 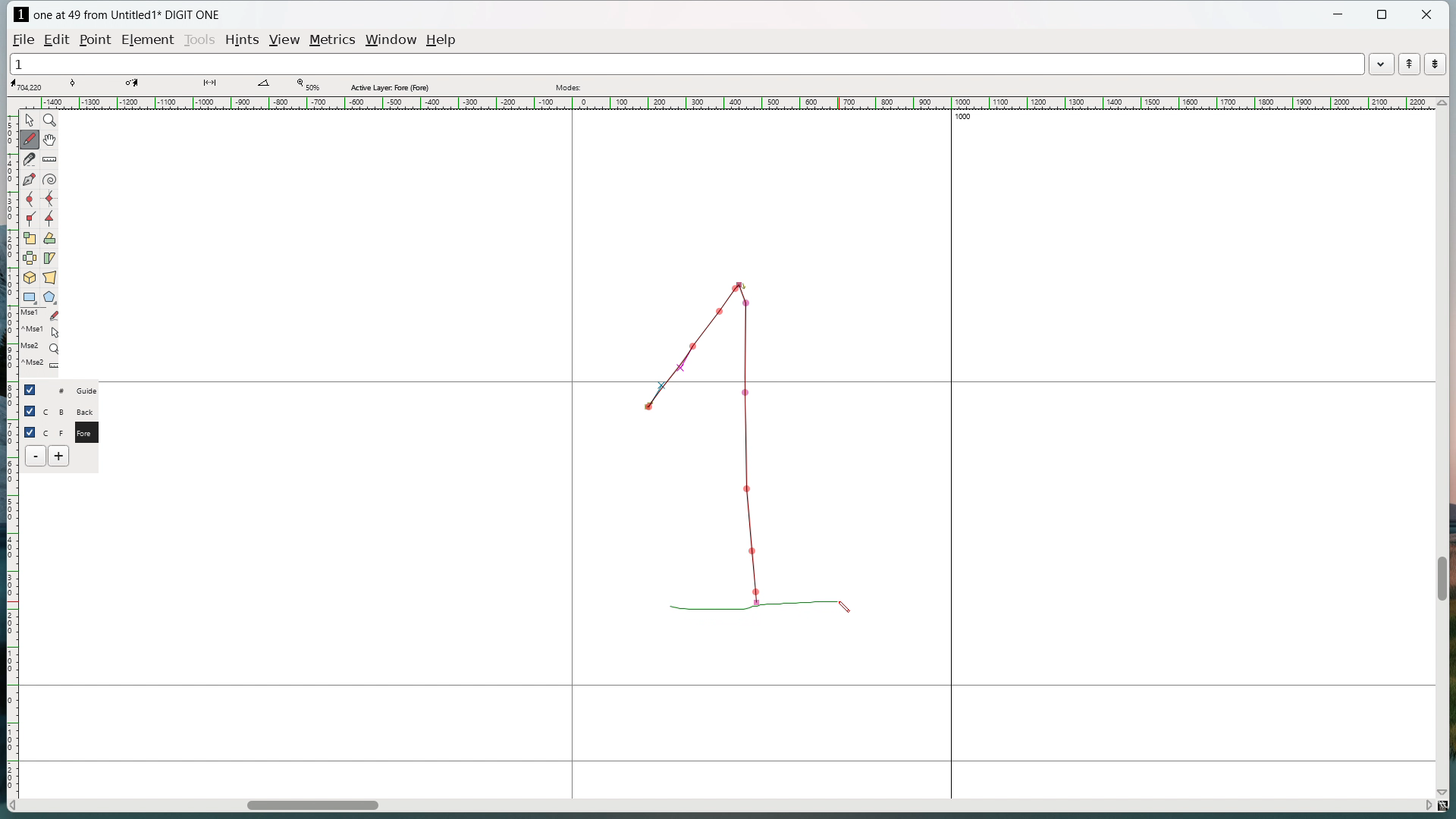 What do you see at coordinates (731, 441) in the screenshot?
I see `Sketching 1` at bounding box center [731, 441].